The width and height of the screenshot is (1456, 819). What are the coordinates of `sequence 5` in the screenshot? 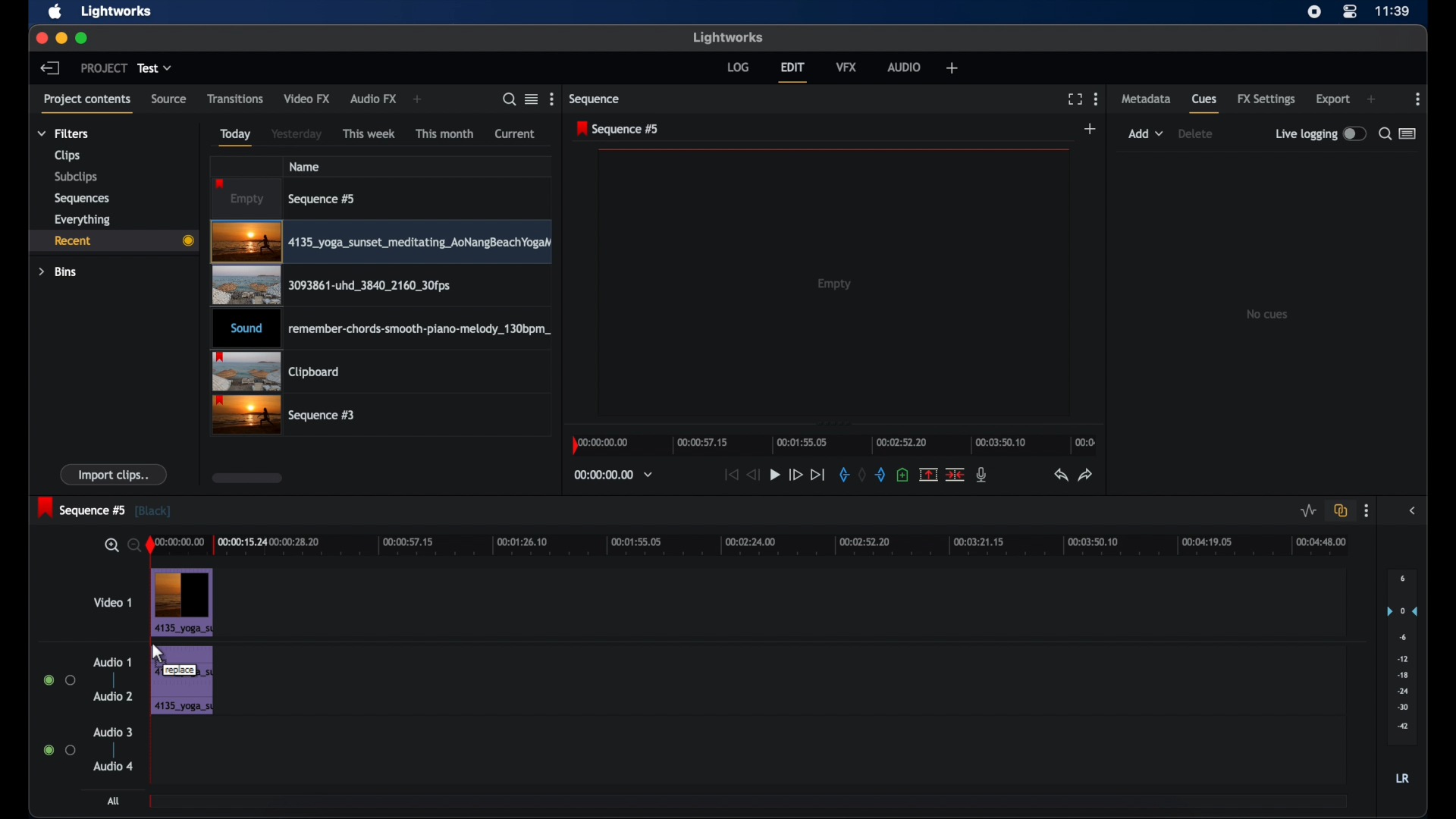 It's located at (287, 199).